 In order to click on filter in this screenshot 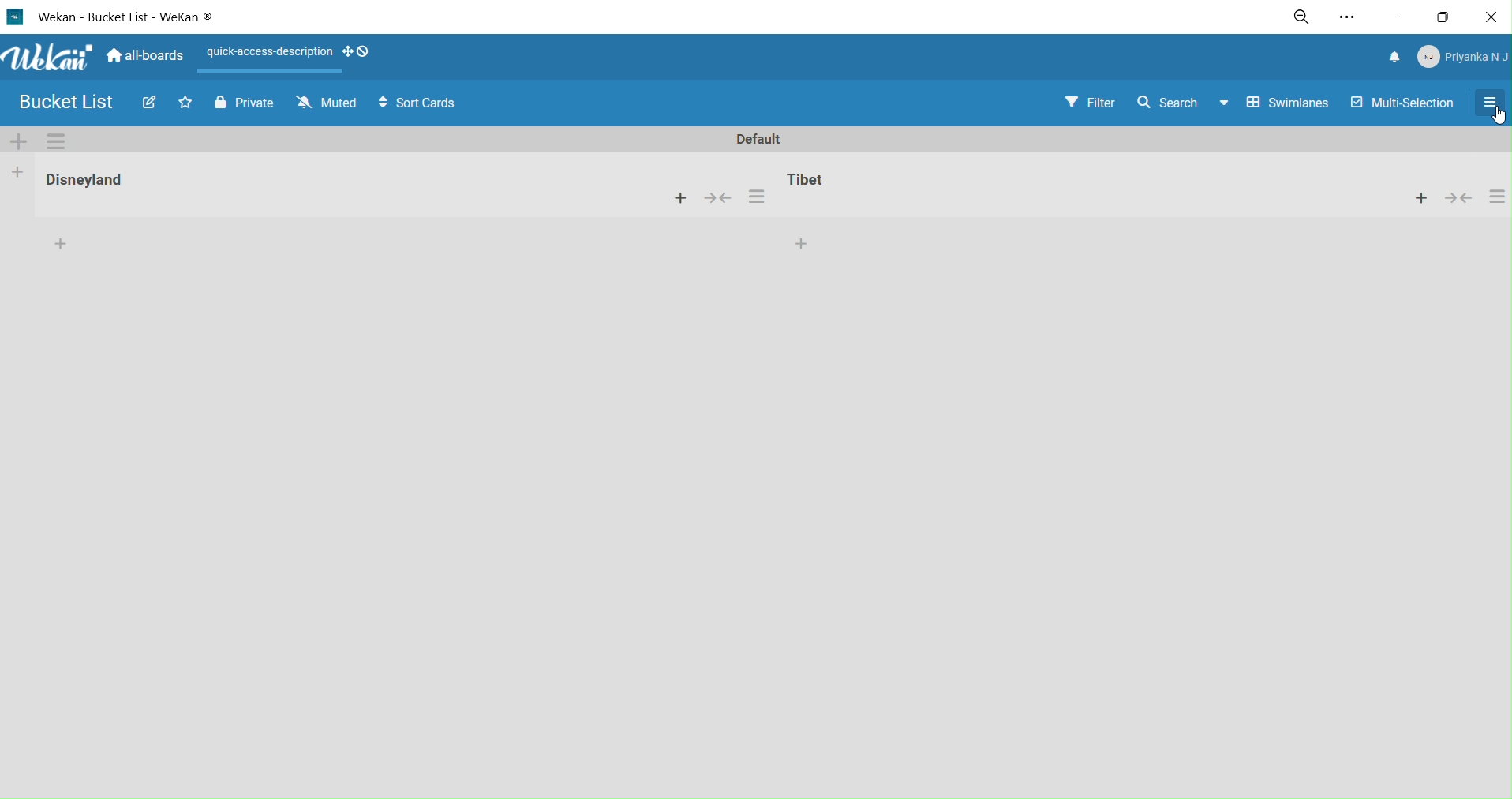, I will do `click(1091, 103)`.